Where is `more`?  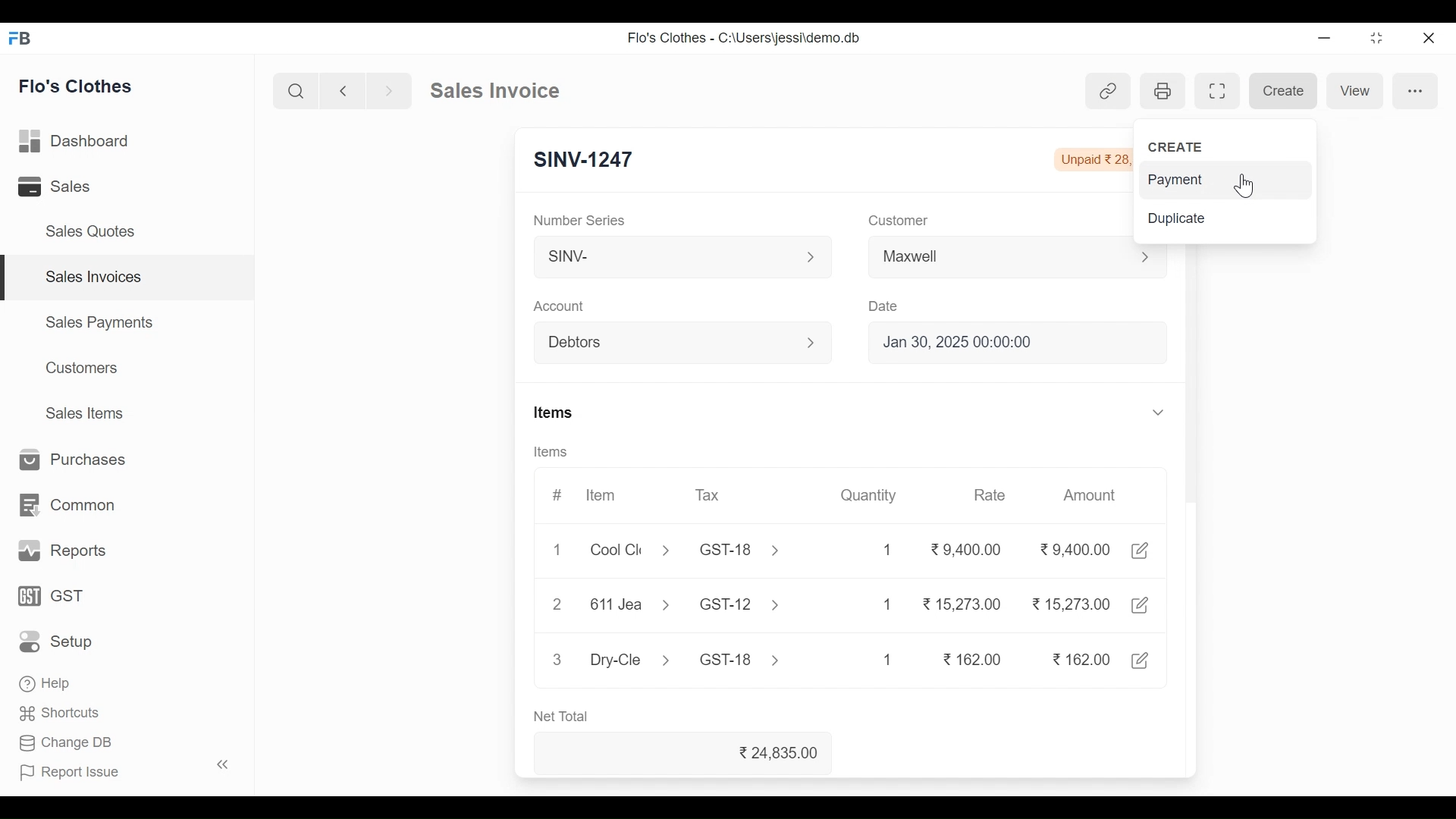 more is located at coordinates (1413, 91).